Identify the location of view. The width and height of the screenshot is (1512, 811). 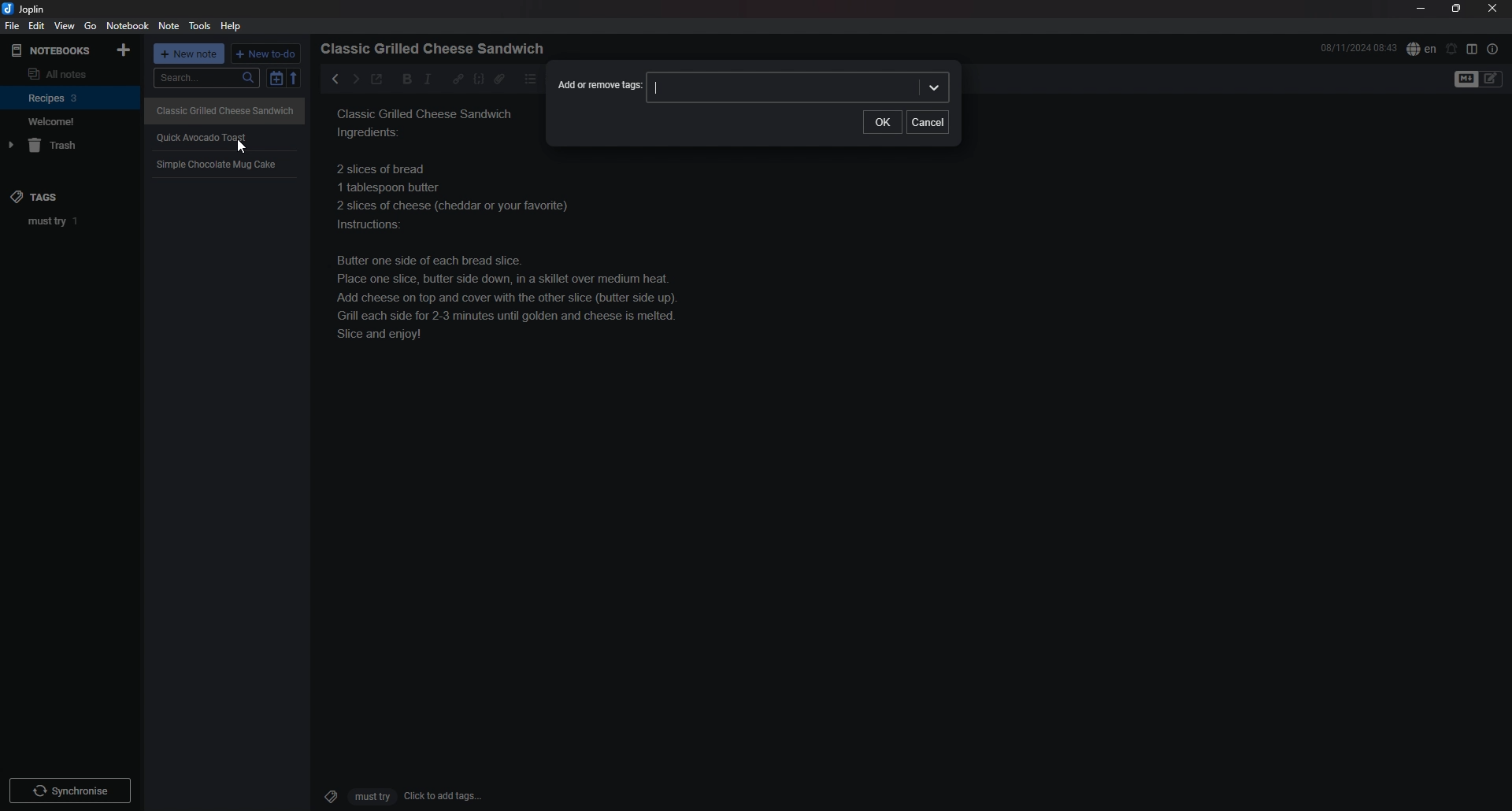
(64, 26).